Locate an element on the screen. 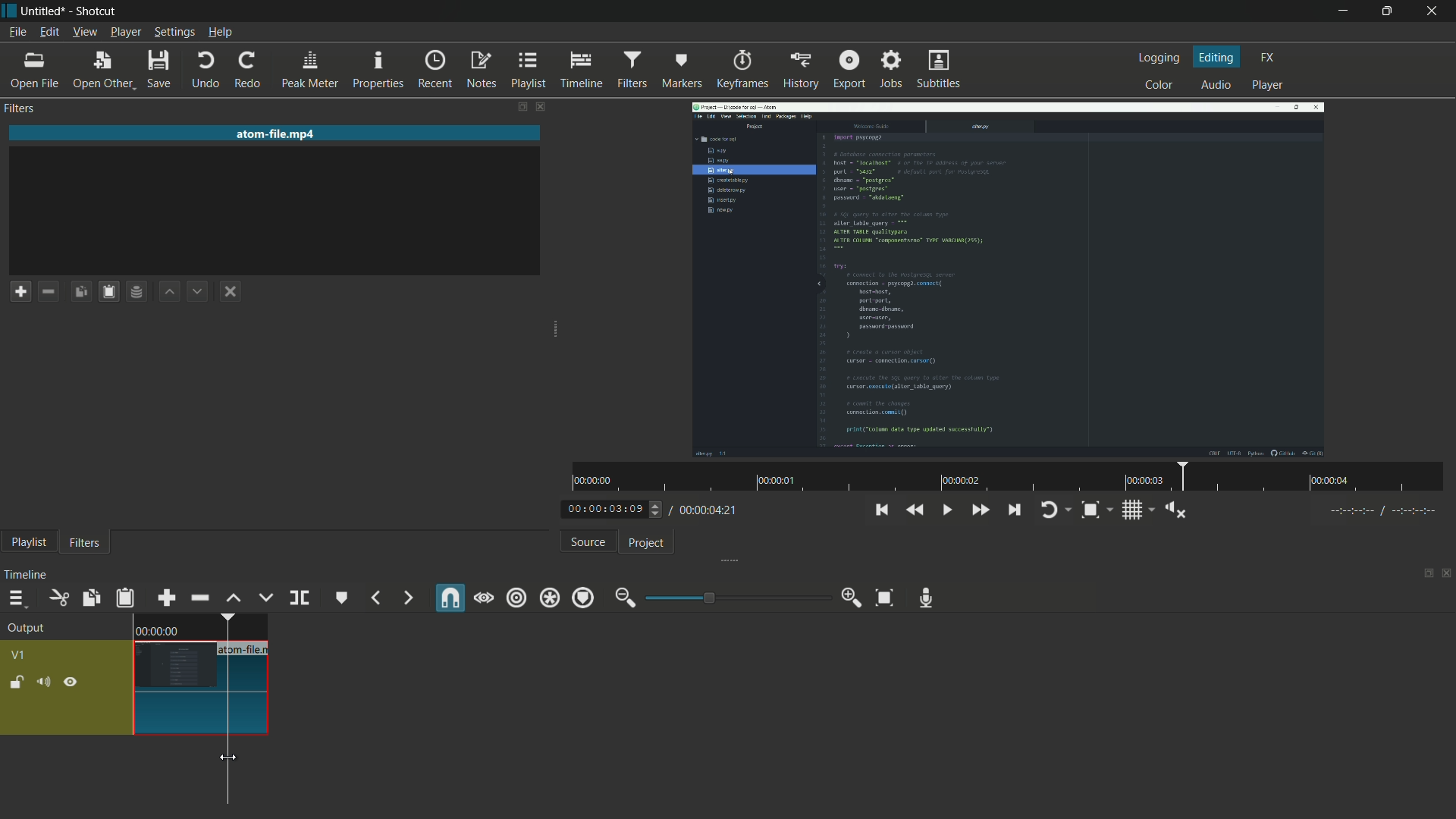 The image size is (1456, 819). save is located at coordinates (160, 68).